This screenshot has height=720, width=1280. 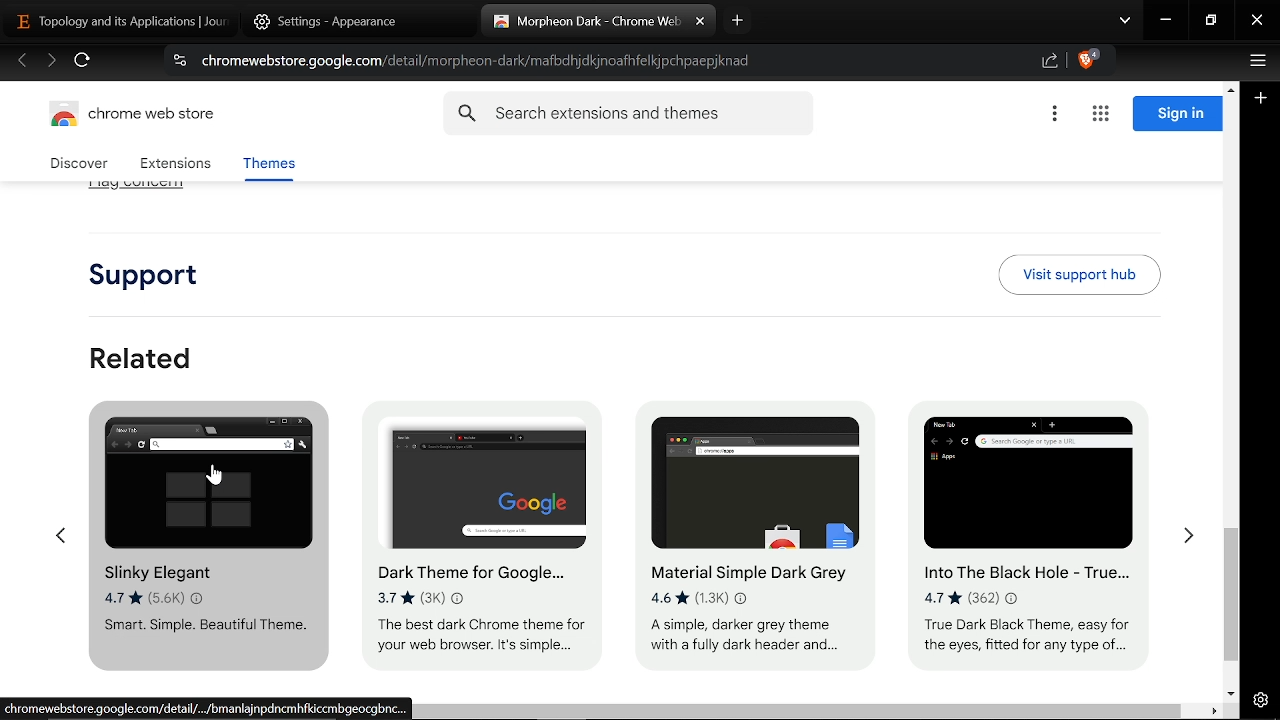 What do you see at coordinates (1260, 700) in the screenshot?
I see `Settings` at bounding box center [1260, 700].